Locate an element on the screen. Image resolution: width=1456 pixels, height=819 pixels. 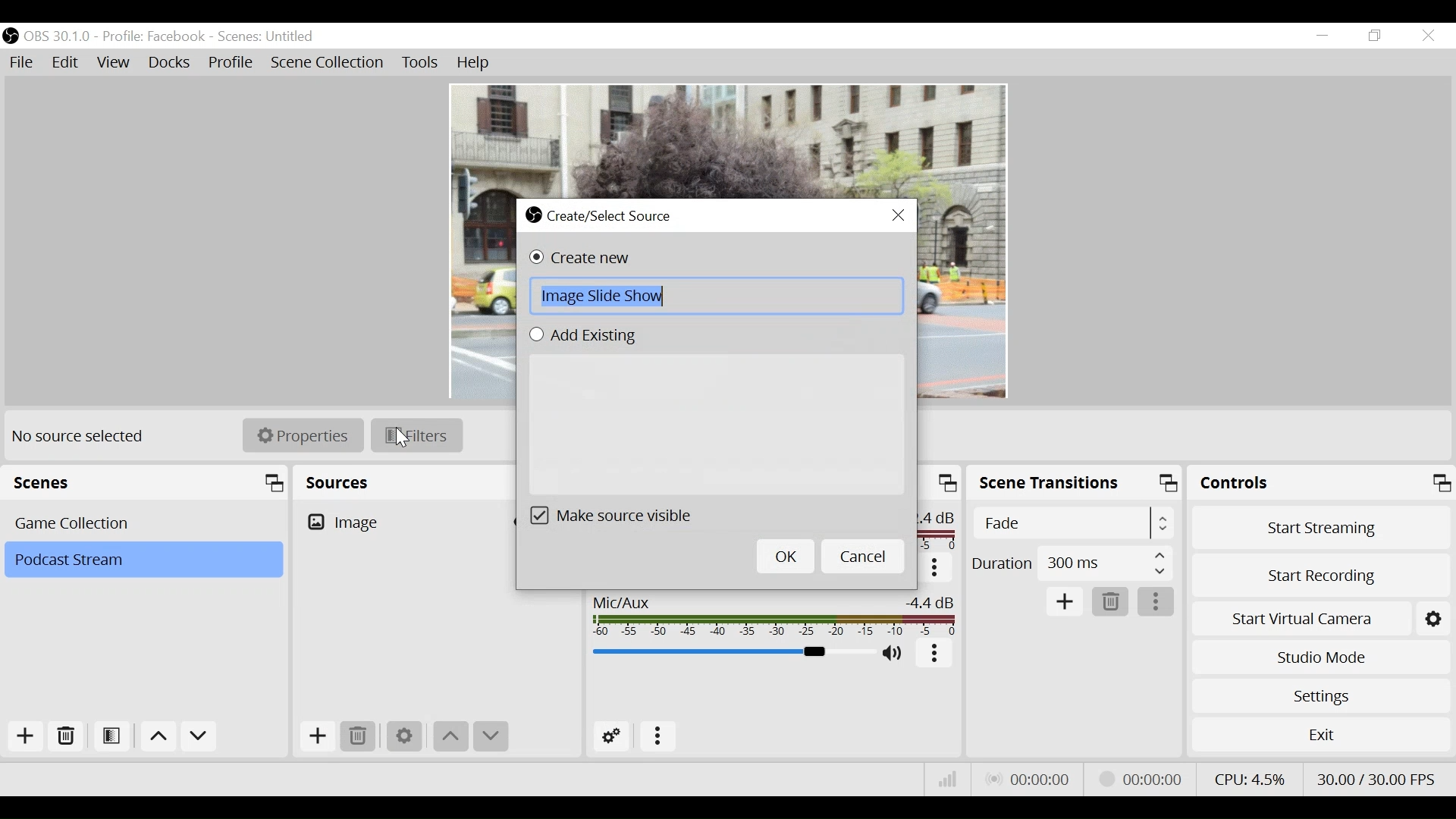
Start Virtual Camera is located at coordinates (1321, 616).